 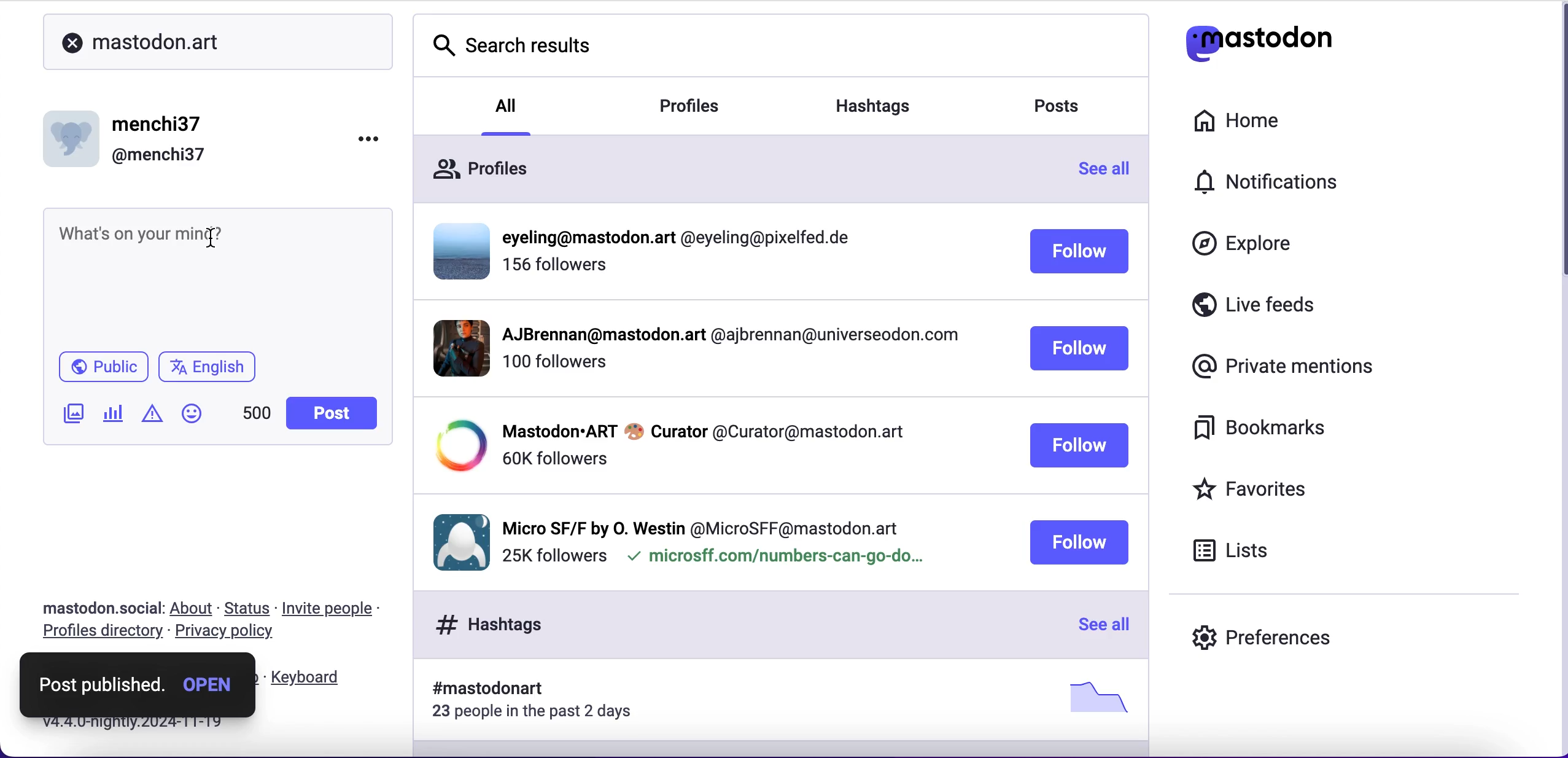 What do you see at coordinates (334, 608) in the screenshot?
I see `invite people` at bounding box center [334, 608].